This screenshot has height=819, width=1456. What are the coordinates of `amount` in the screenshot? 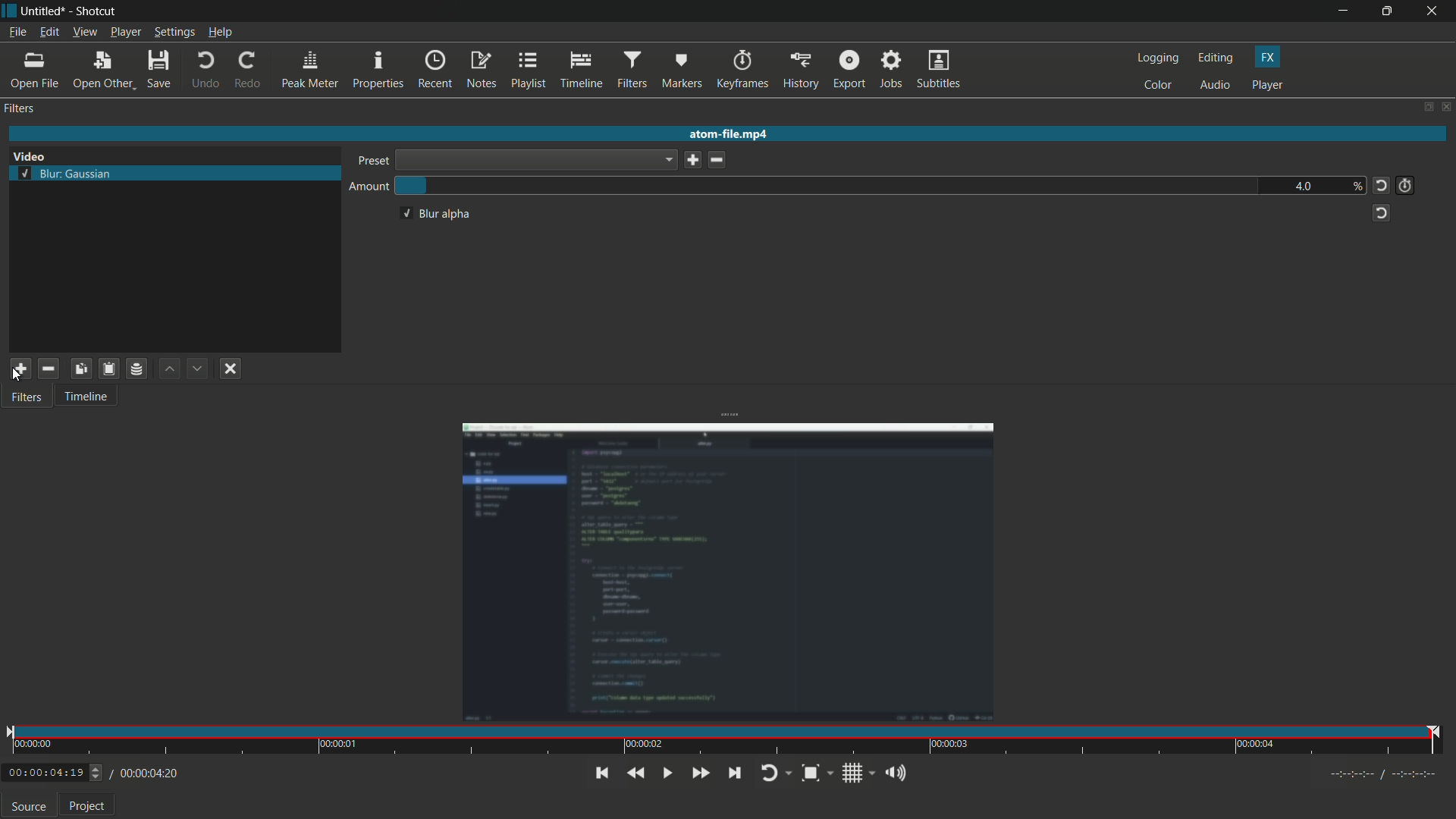 It's located at (369, 188).